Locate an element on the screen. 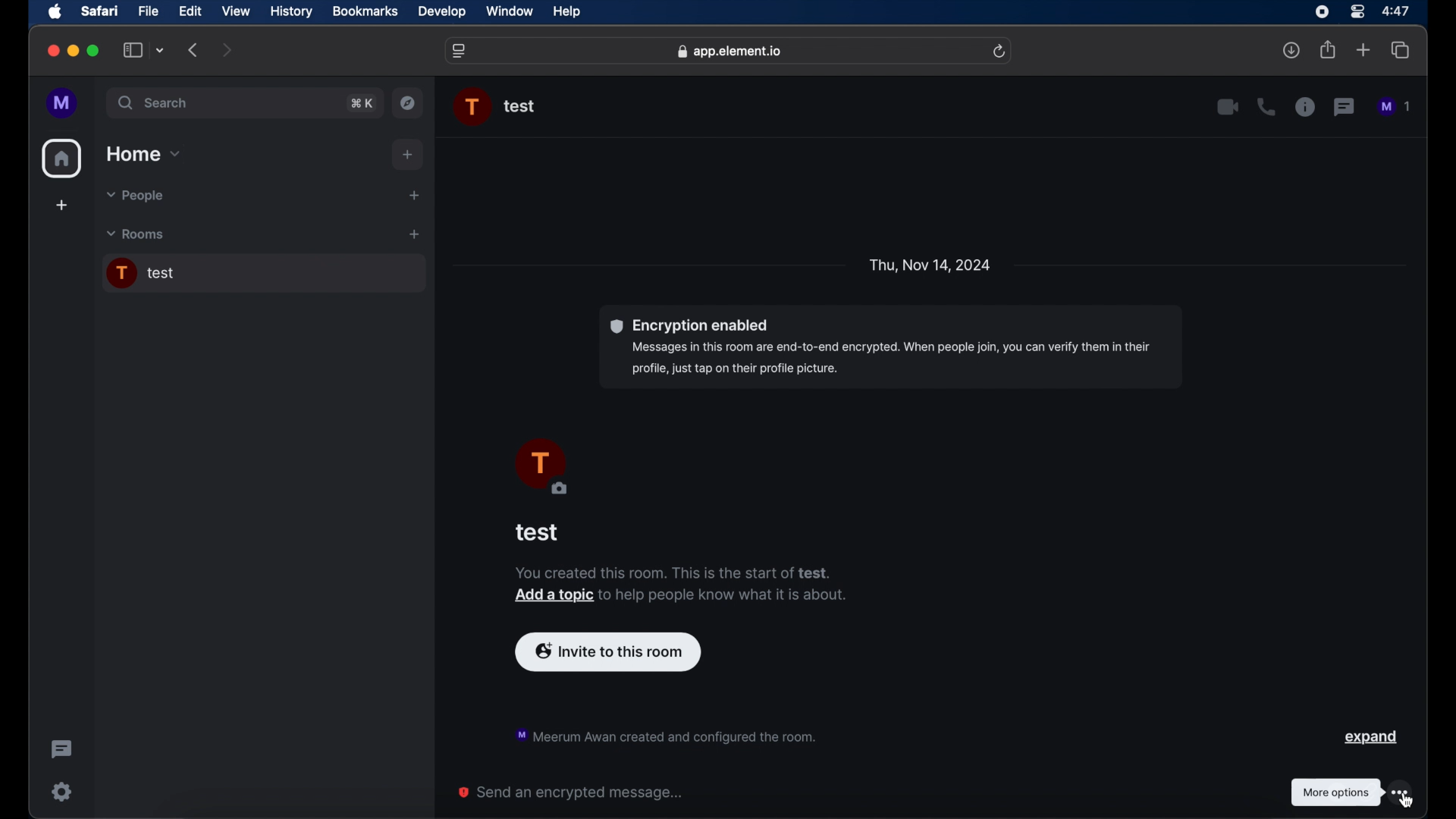 Image resolution: width=1456 pixels, height=819 pixels. chat name is located at coordinates (520, 107).